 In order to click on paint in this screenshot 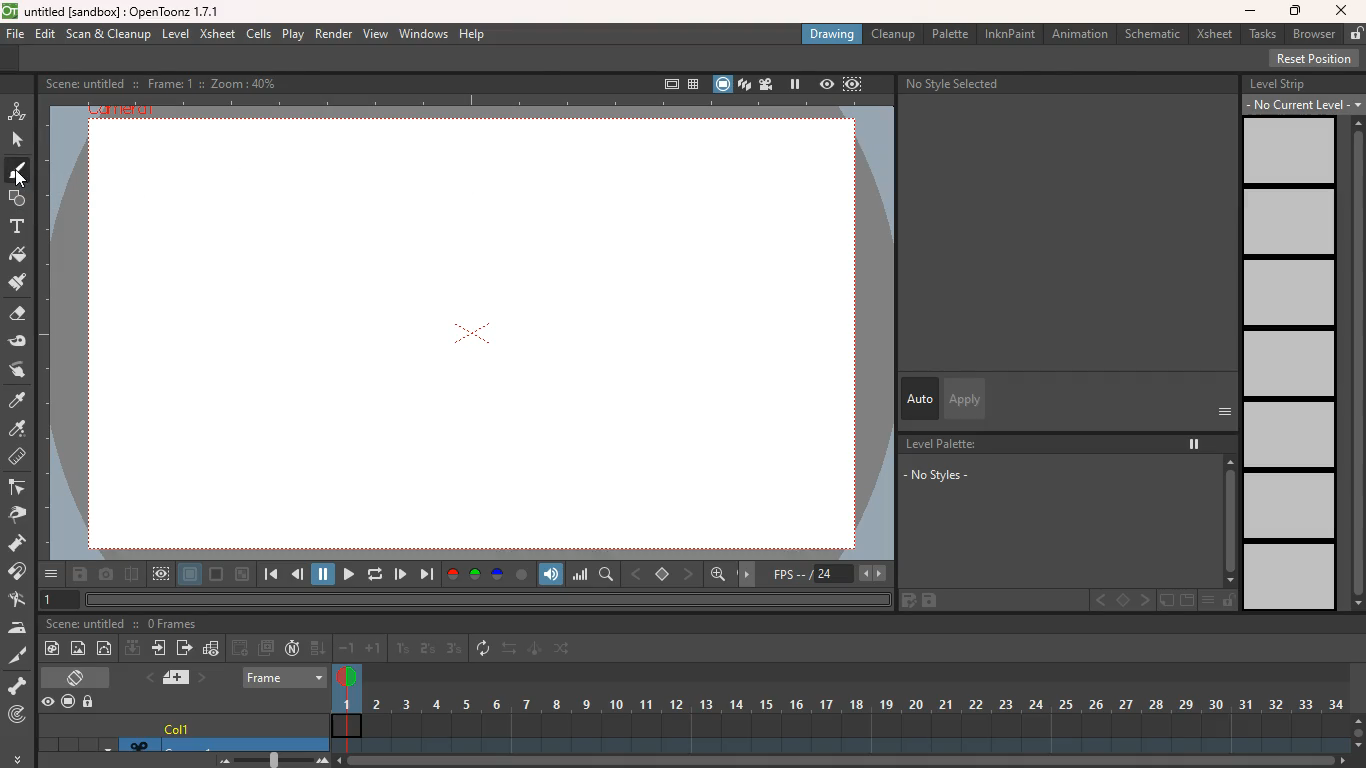, I will do `click(19, 286)`.